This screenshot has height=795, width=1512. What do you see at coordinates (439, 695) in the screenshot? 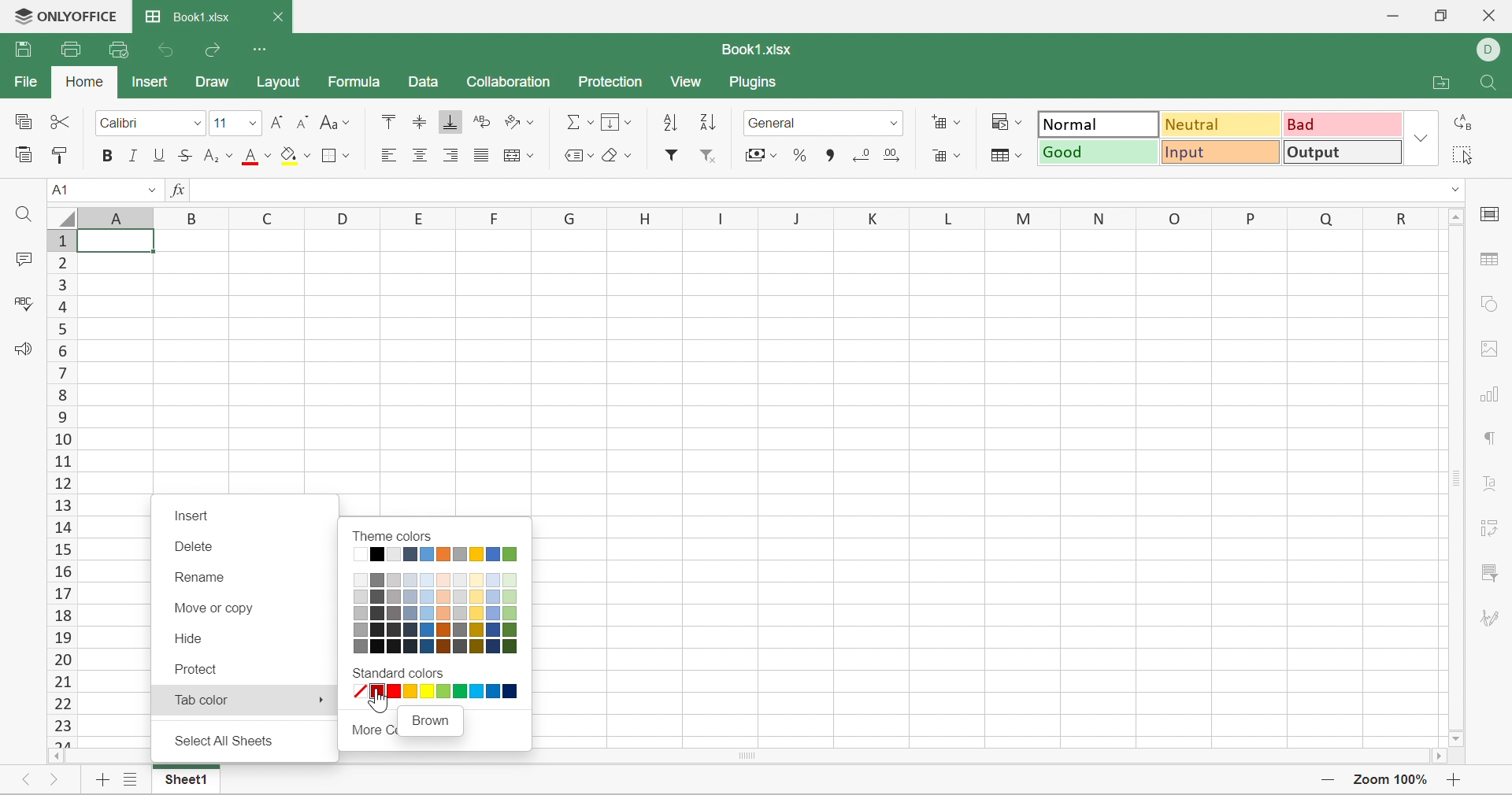
I see `Standard colors` at bounding box center [439, 695].